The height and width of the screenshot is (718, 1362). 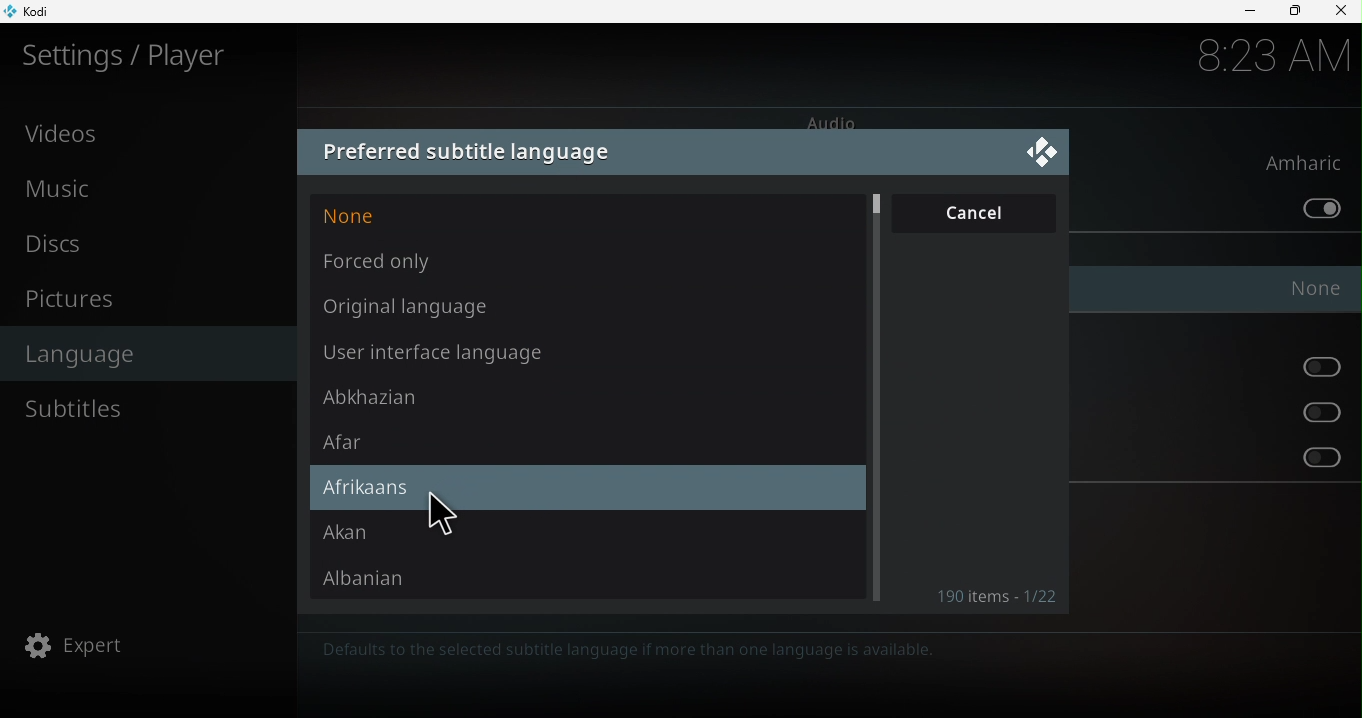 I want to click on Defaults to the selected subtitle language if more than one language is available., so click(x=635, y=650).